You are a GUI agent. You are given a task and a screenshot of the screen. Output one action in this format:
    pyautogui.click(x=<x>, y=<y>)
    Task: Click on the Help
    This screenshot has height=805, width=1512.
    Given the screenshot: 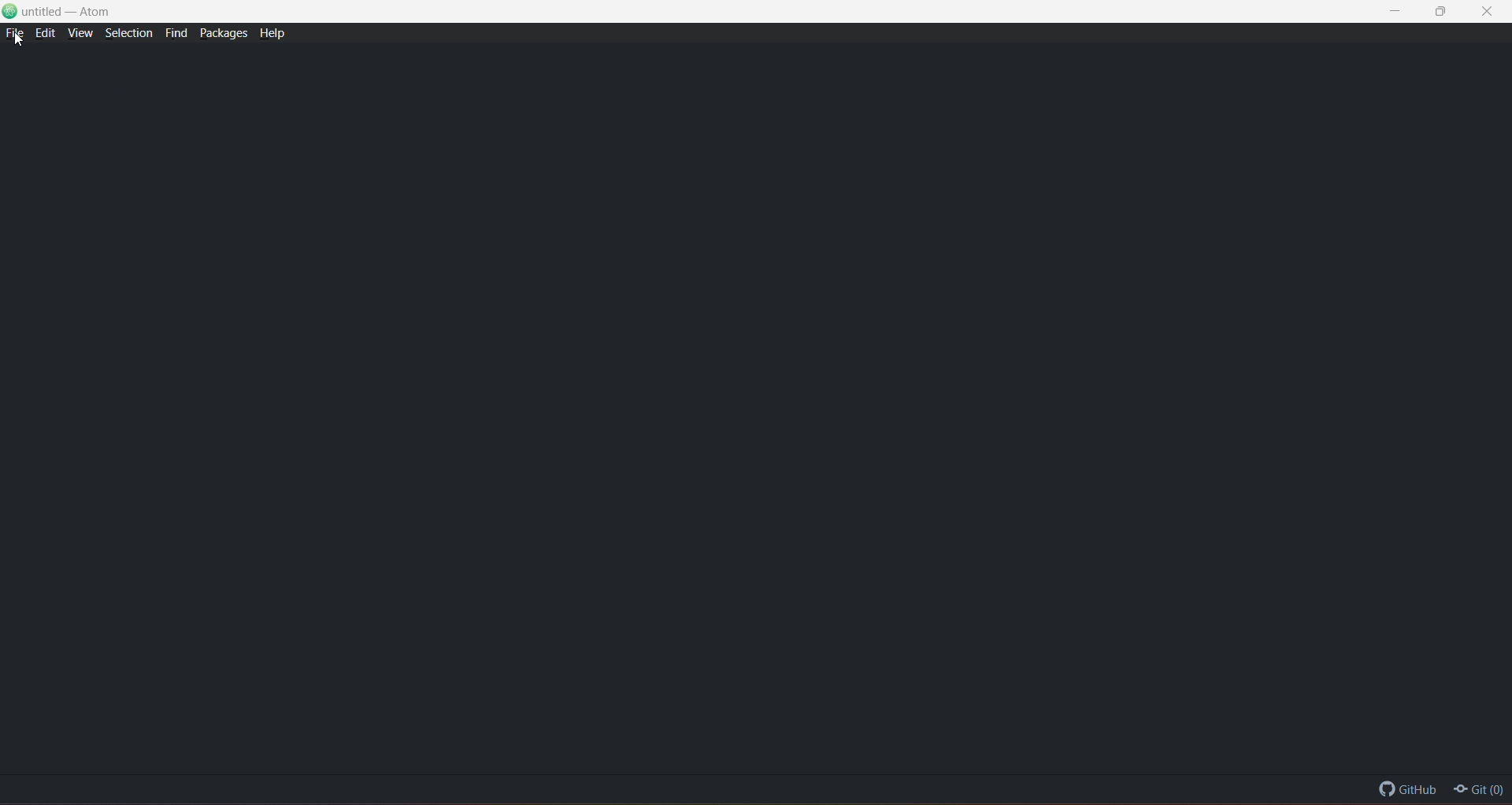 What is the action you would take?
    pyautogui.click(x=274, y=33)
    